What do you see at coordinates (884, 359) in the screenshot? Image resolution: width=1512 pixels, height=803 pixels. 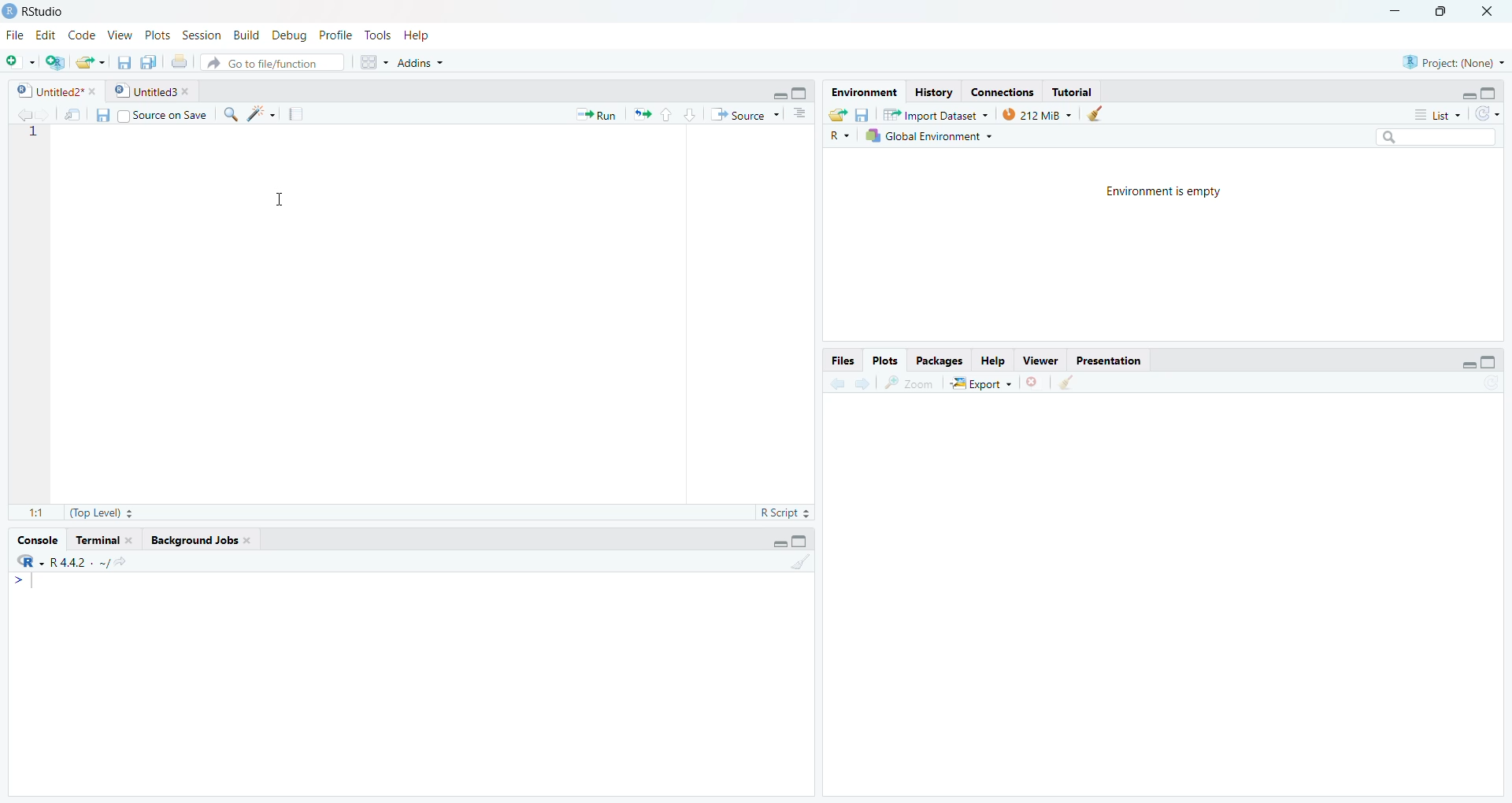 I see `plots` at bounding box center [884, 359].